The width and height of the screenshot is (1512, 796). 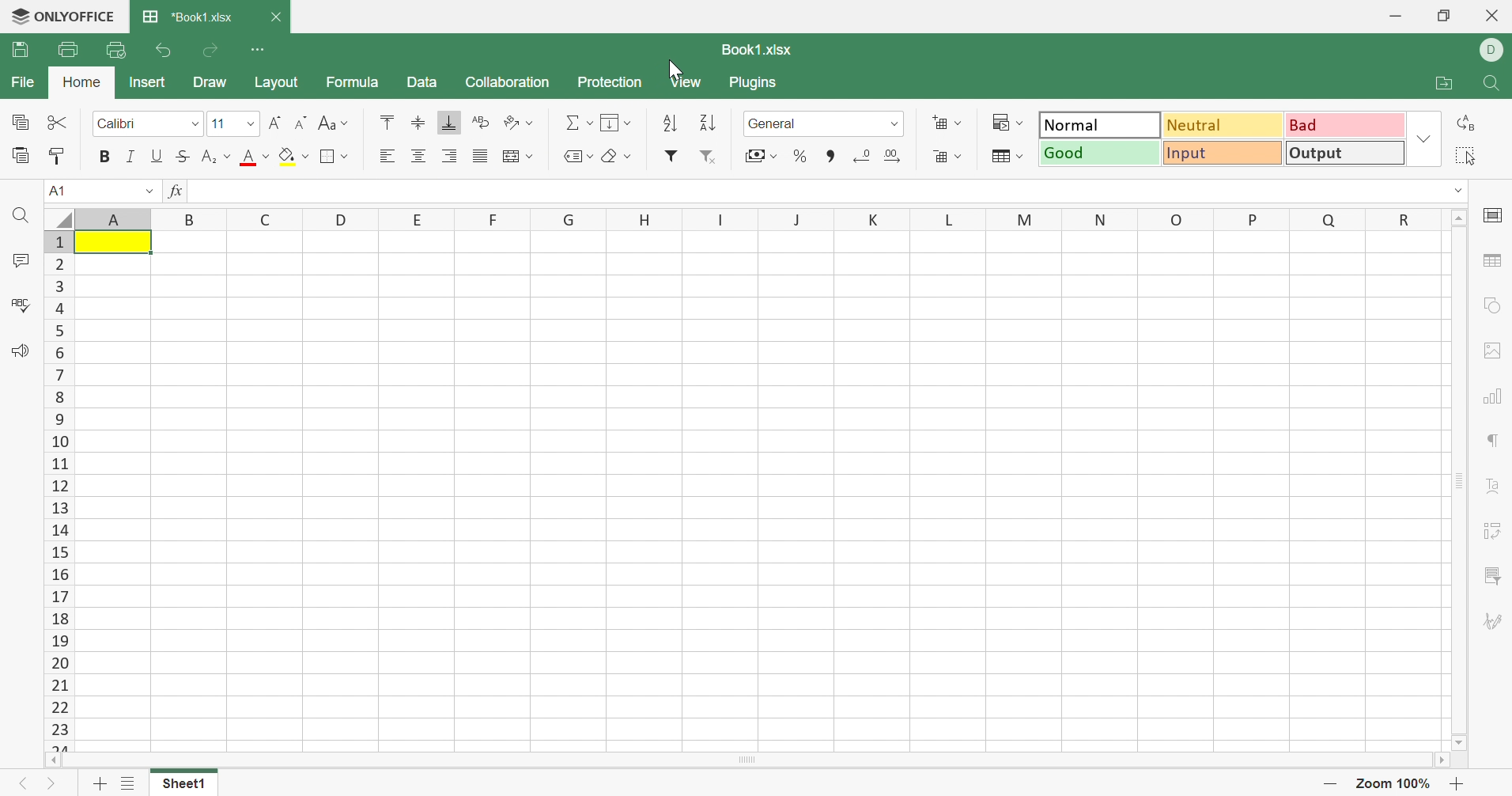 I want to click on Align Center, so click(x=417, y=154).